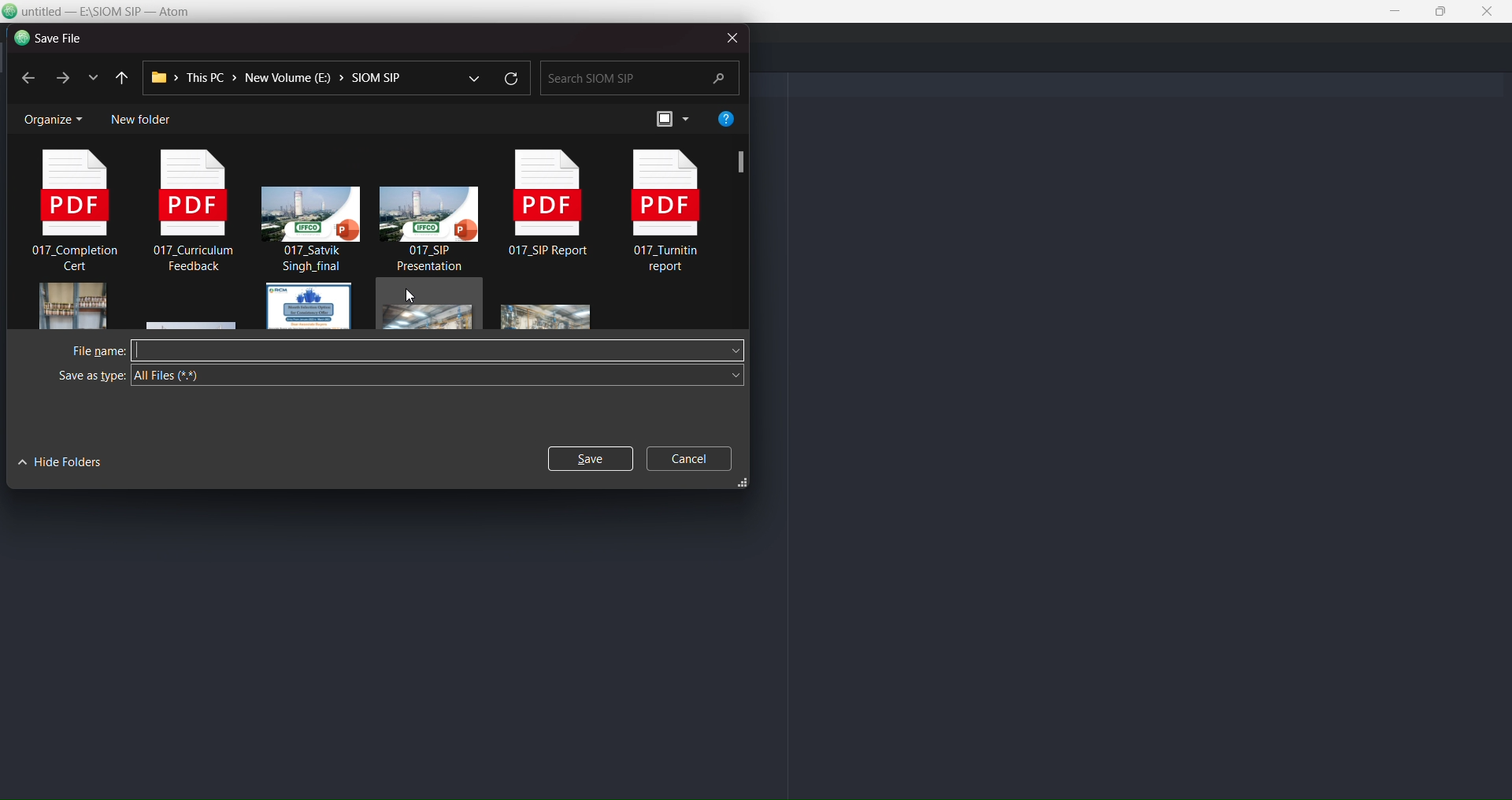 The height and width of the screenshot is (800, 1512). Describe the element at coordinates (46, 39) in the screenshot. I see `save file` at that location.